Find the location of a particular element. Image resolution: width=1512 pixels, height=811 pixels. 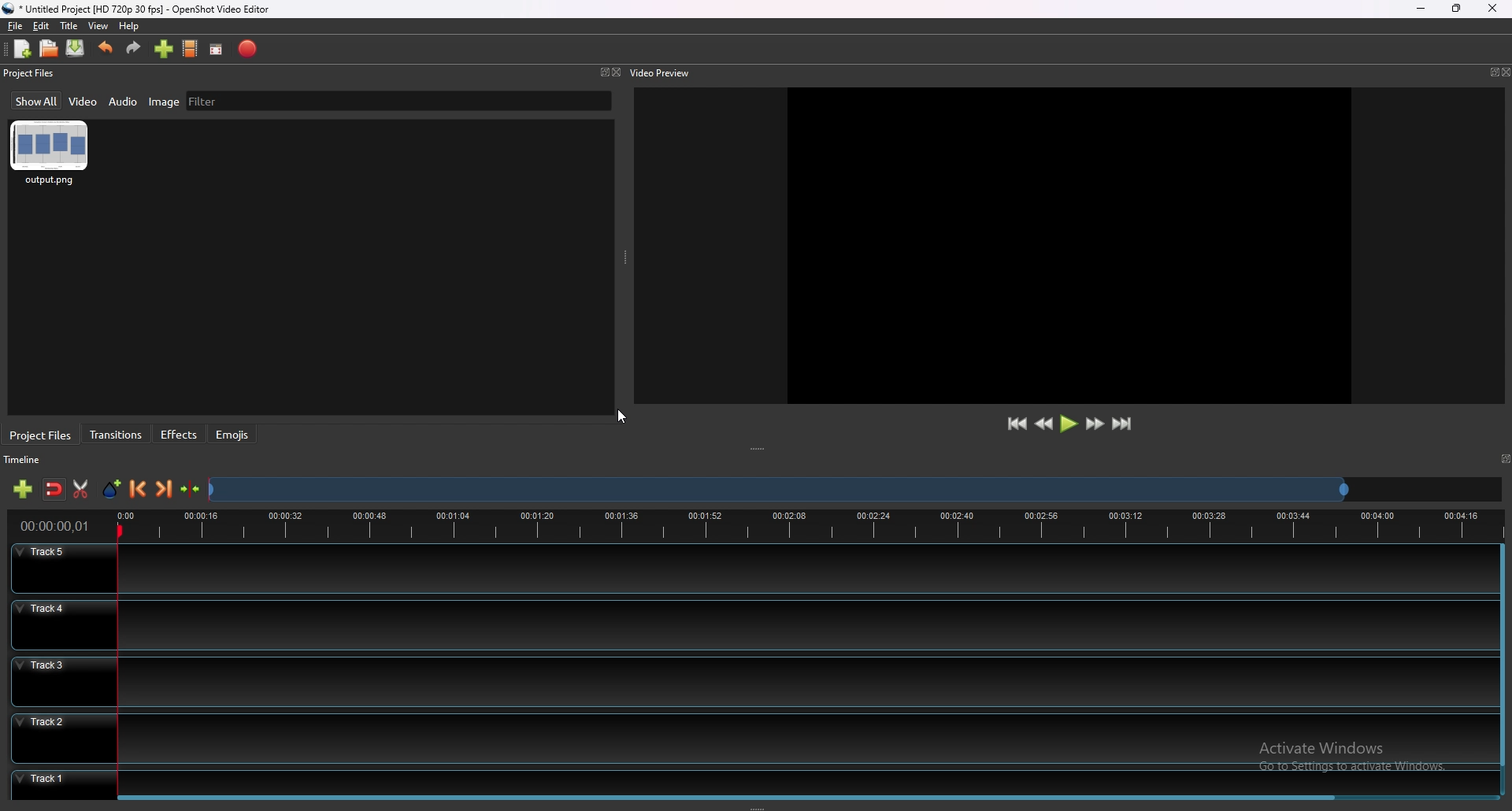

jump to start is located at coordinates (1016, 424).